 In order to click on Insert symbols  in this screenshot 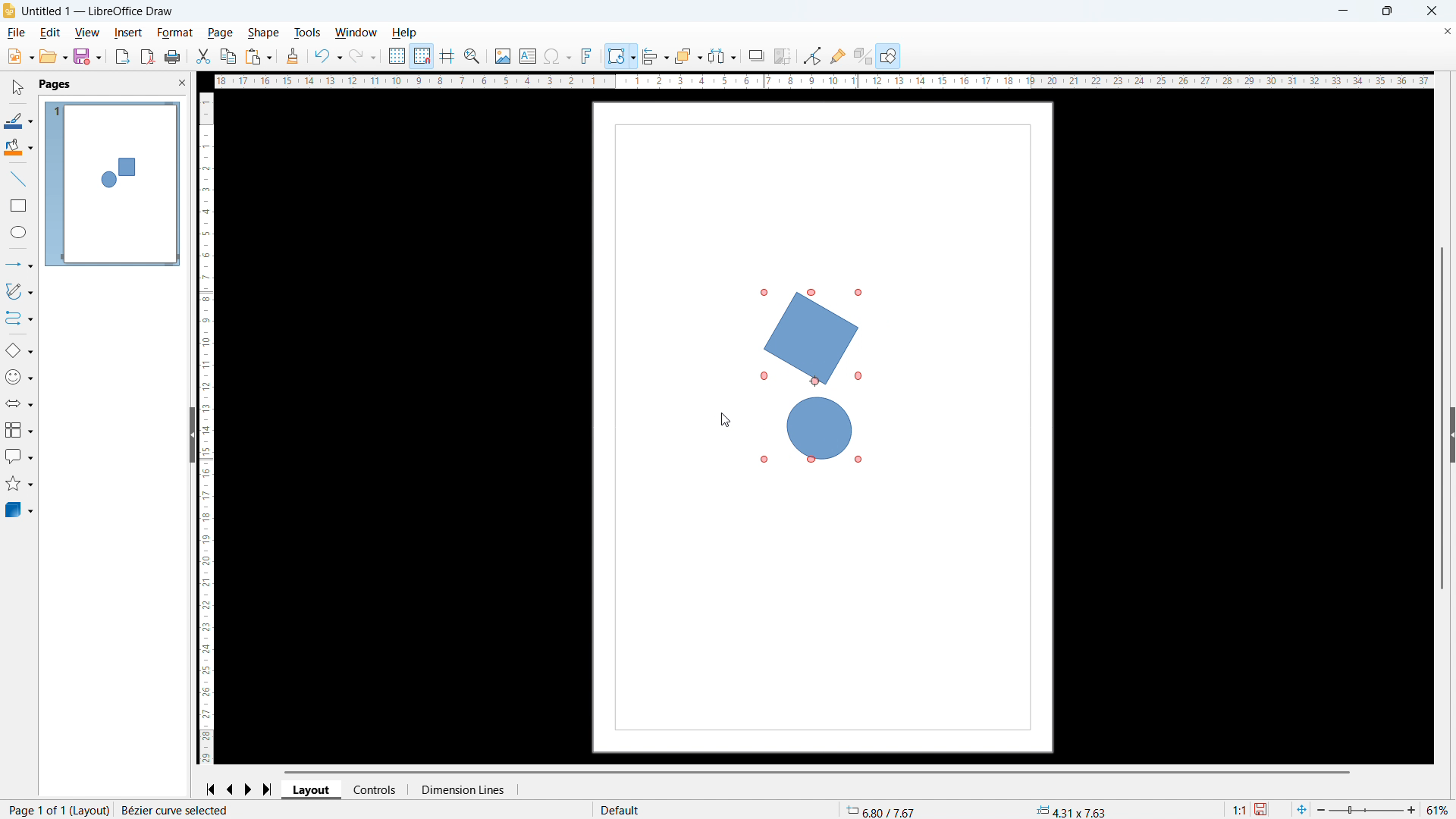, I will do `click(557, 56)`.